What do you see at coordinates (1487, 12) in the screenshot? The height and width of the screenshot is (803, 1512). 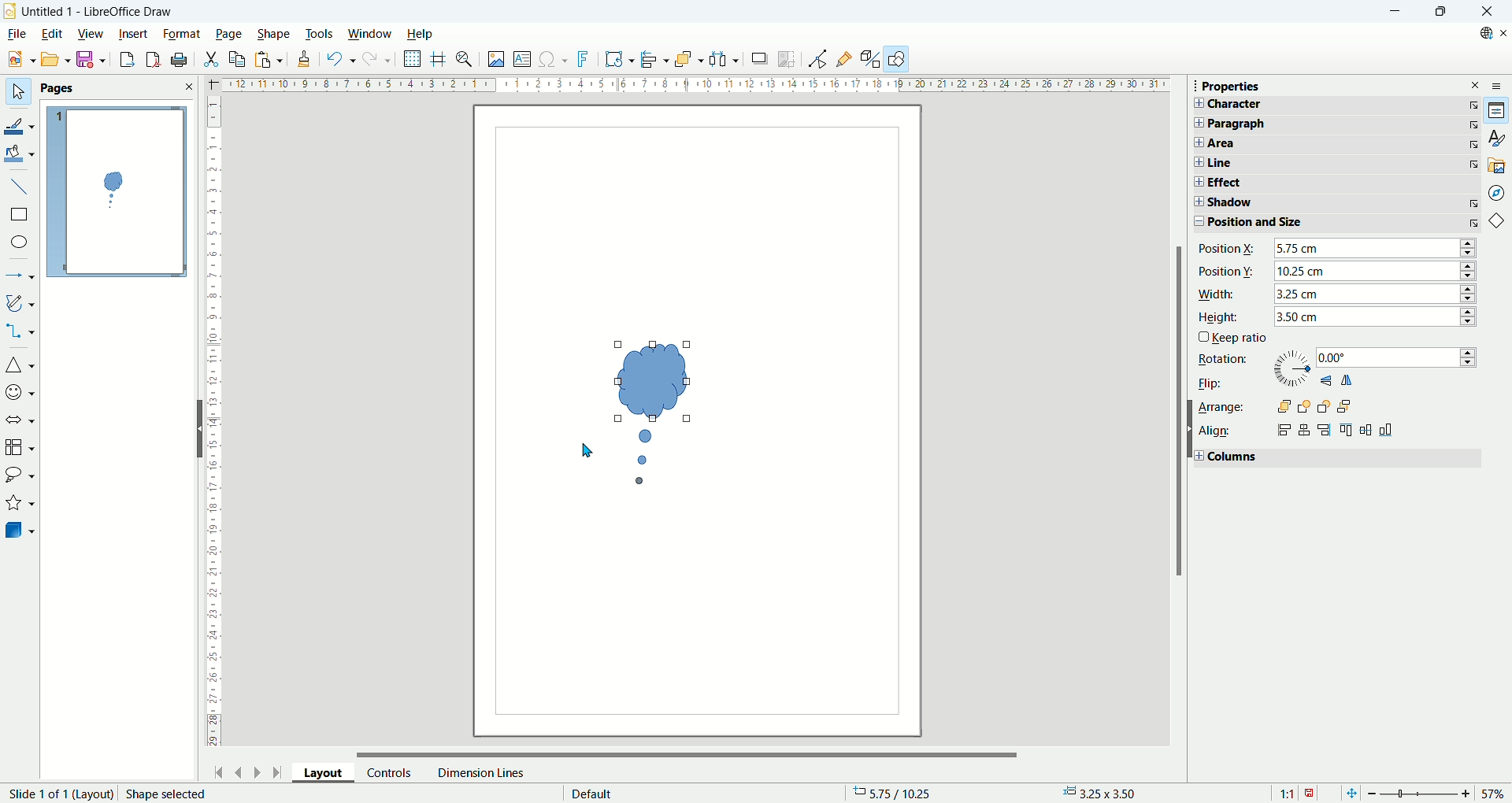 I see `Close` at bounding box center [1487, 12].